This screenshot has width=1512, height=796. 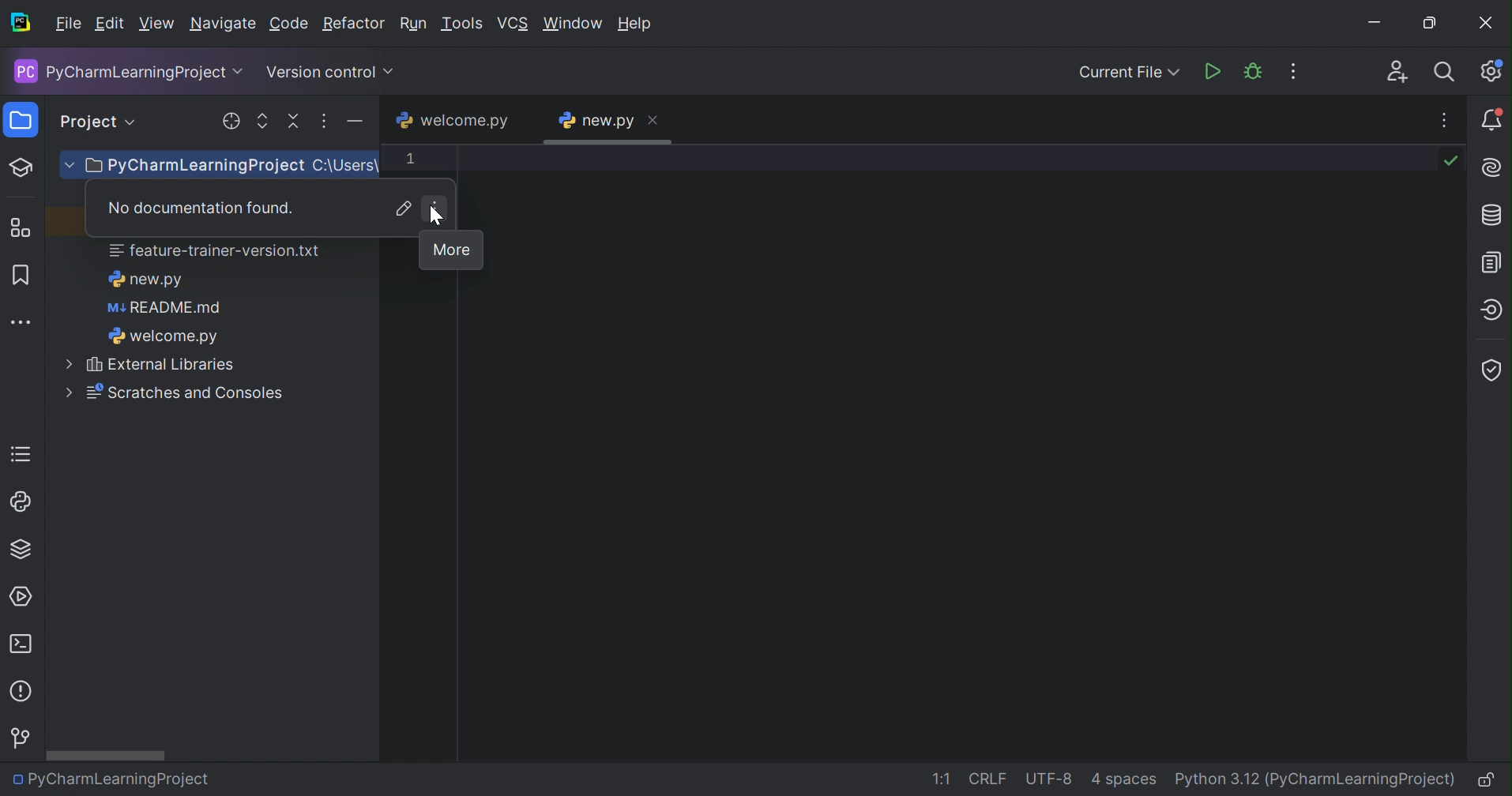 I want to click on Jump to source, so click(x=404, y=208).